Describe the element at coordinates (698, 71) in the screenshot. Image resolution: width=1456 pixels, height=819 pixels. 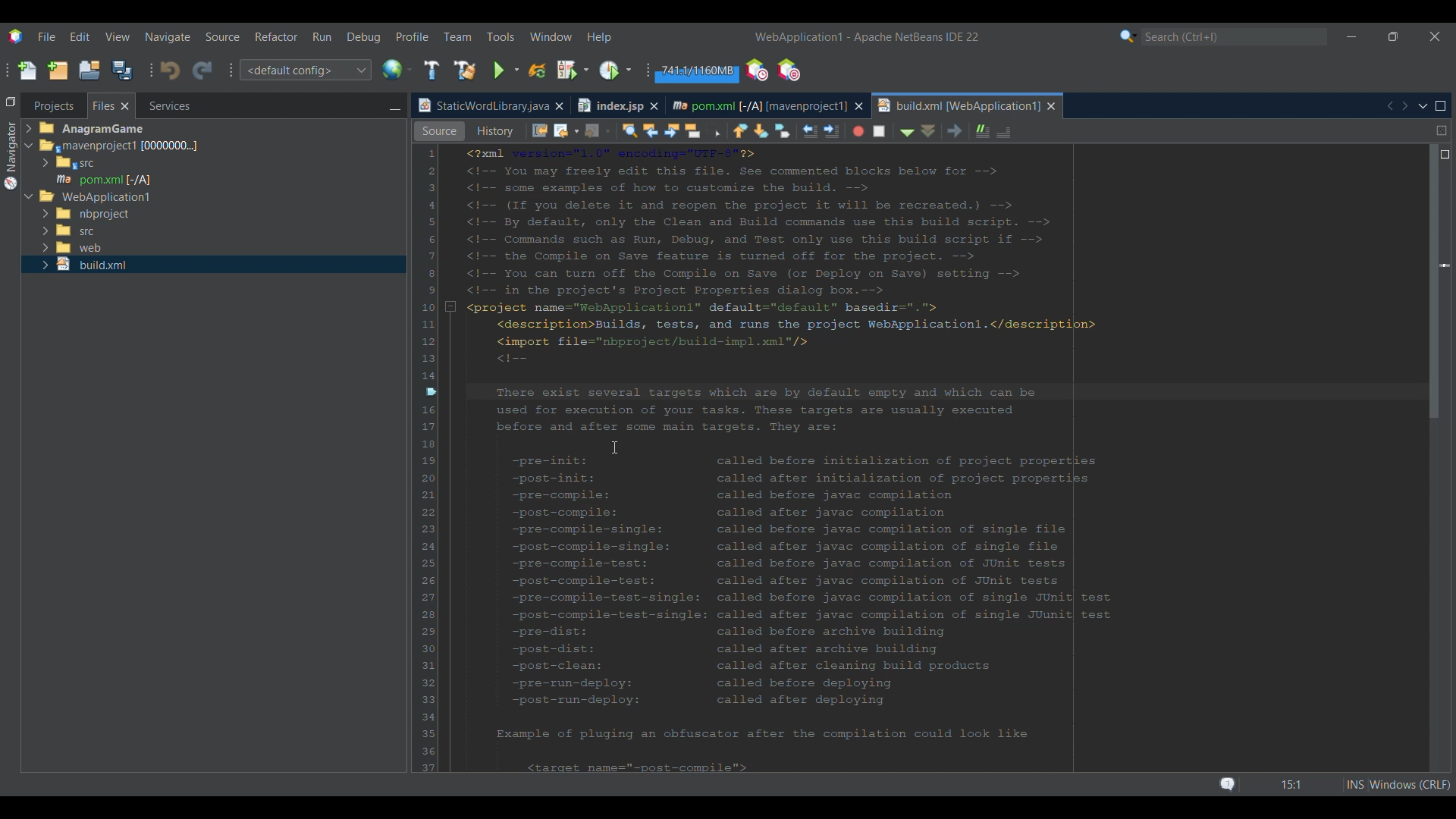
I see `Garbage collection changed` at that location.